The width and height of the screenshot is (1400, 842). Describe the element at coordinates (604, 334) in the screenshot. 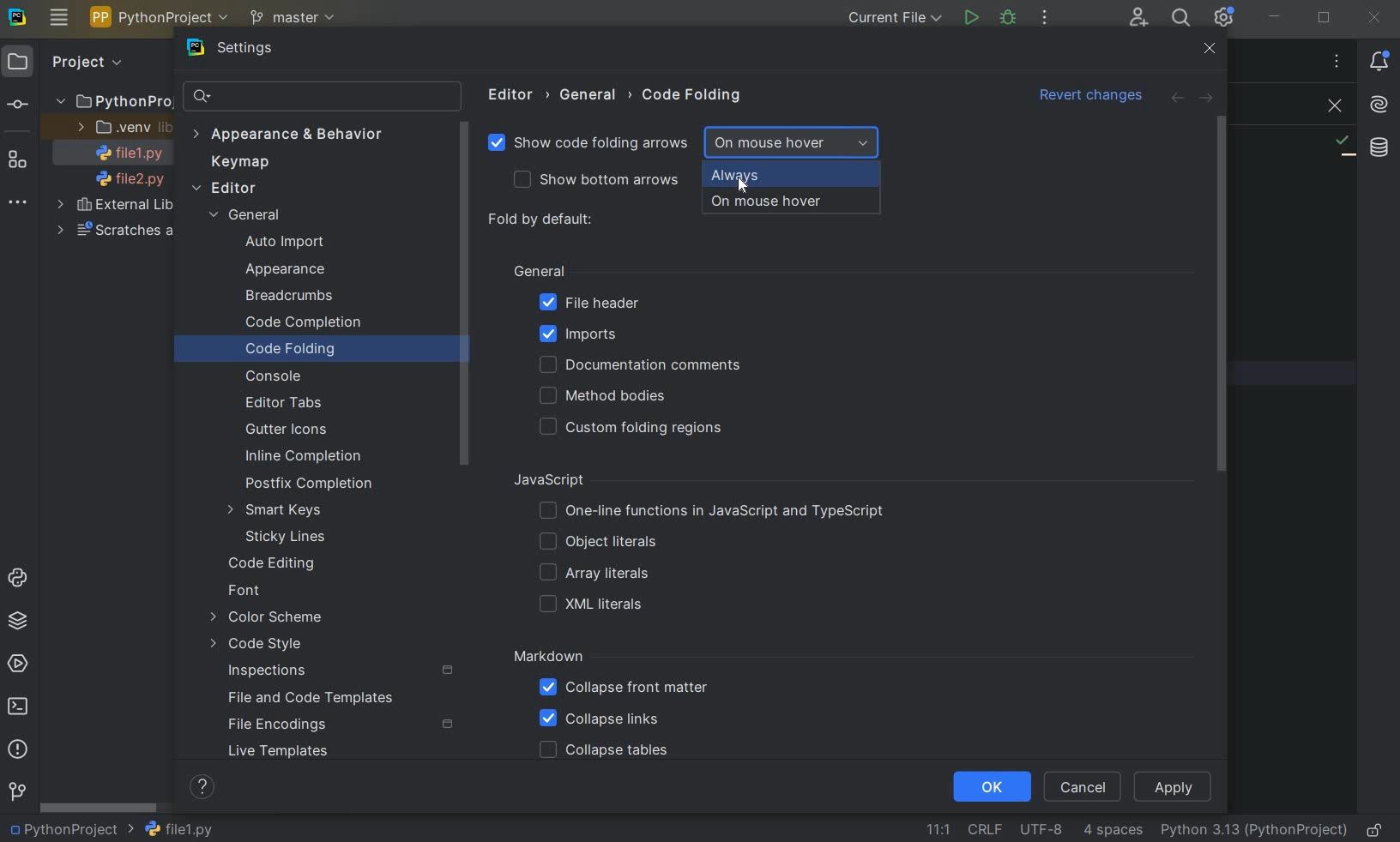

I see `IMPORTS` at that location.